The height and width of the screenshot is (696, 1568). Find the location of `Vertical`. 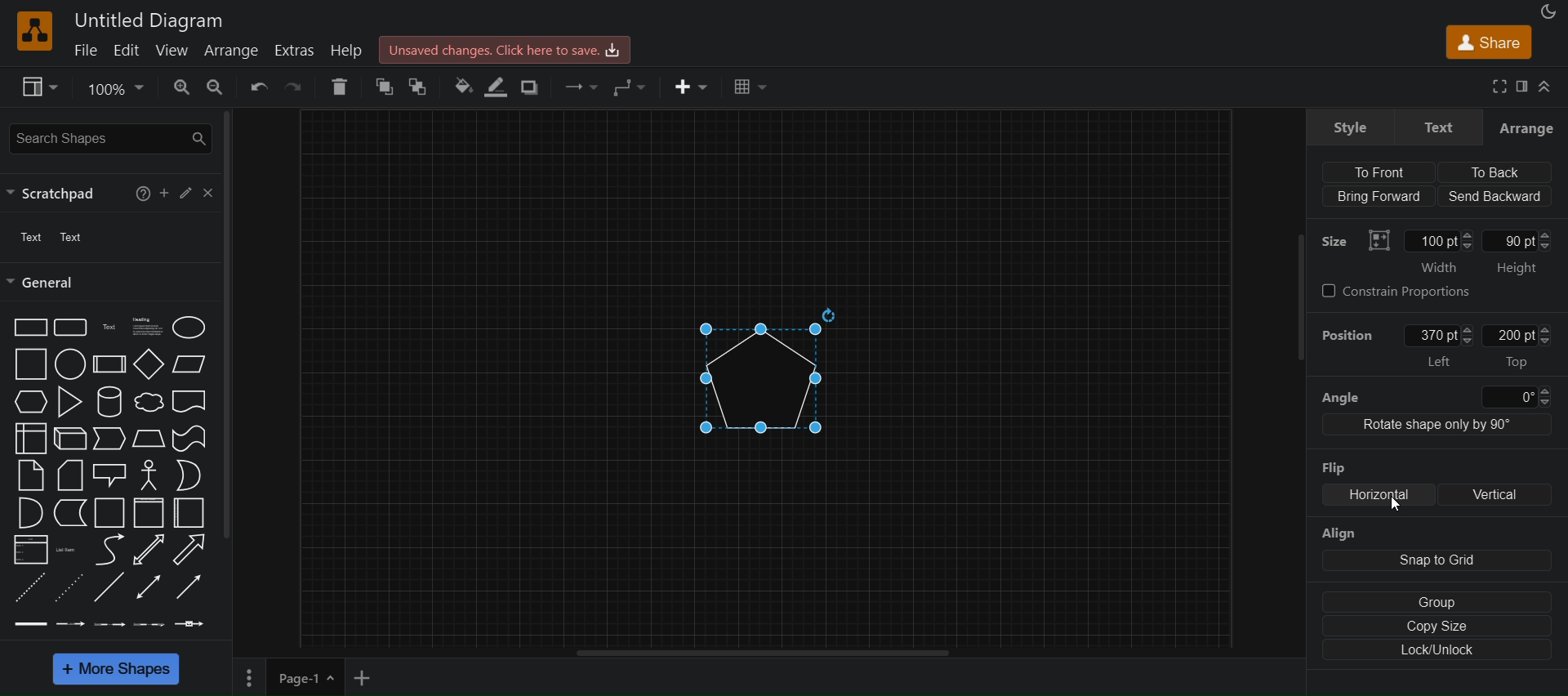

Vertical is located at coordinates (1494, 495).